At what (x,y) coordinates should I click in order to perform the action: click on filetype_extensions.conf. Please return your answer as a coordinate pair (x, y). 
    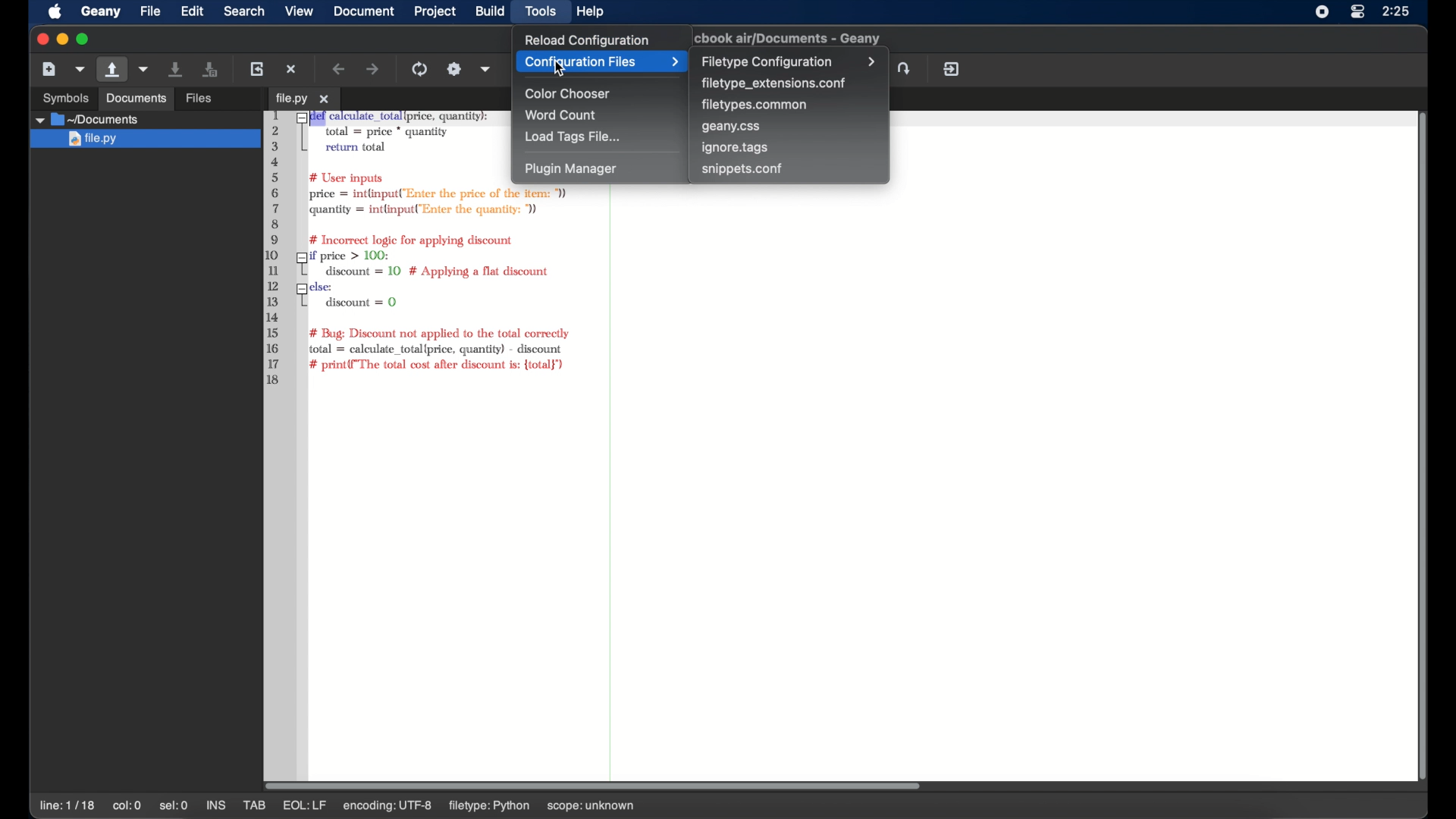
    Looking at the image, I should click on (773, 83).